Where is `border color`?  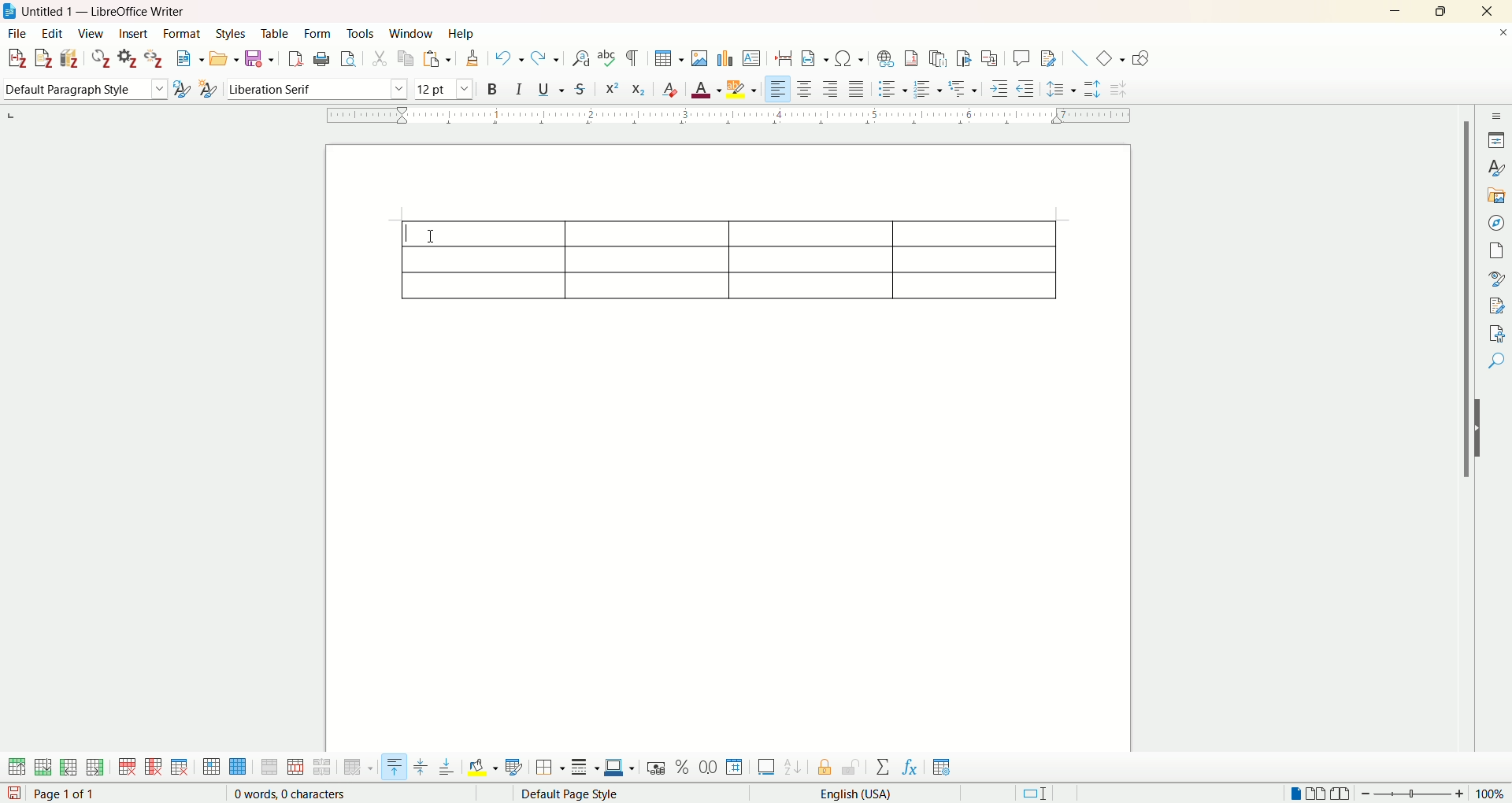
border color is located at coordinates (621, 768).